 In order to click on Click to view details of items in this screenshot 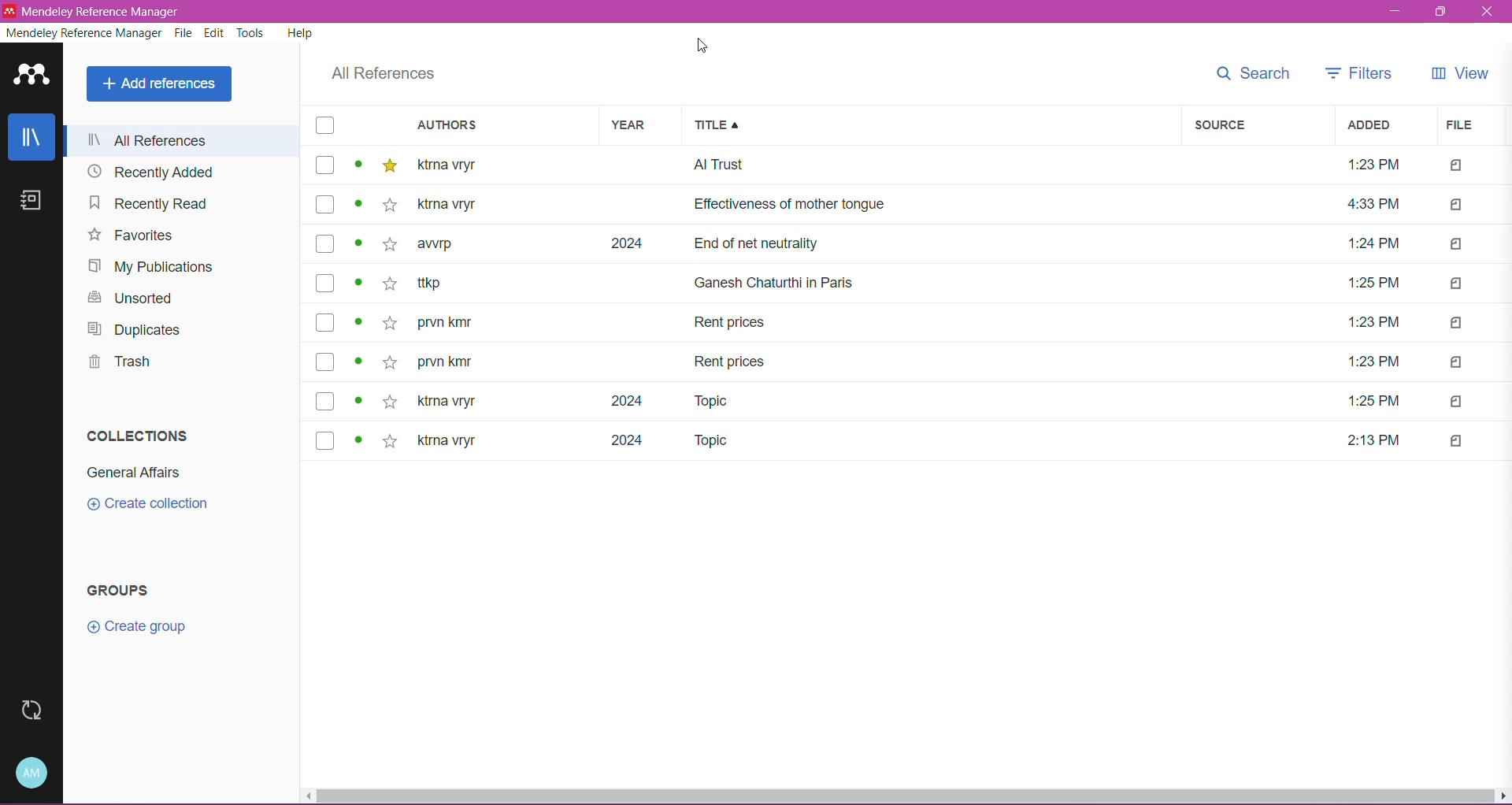, I will do `click(360, 303)`.